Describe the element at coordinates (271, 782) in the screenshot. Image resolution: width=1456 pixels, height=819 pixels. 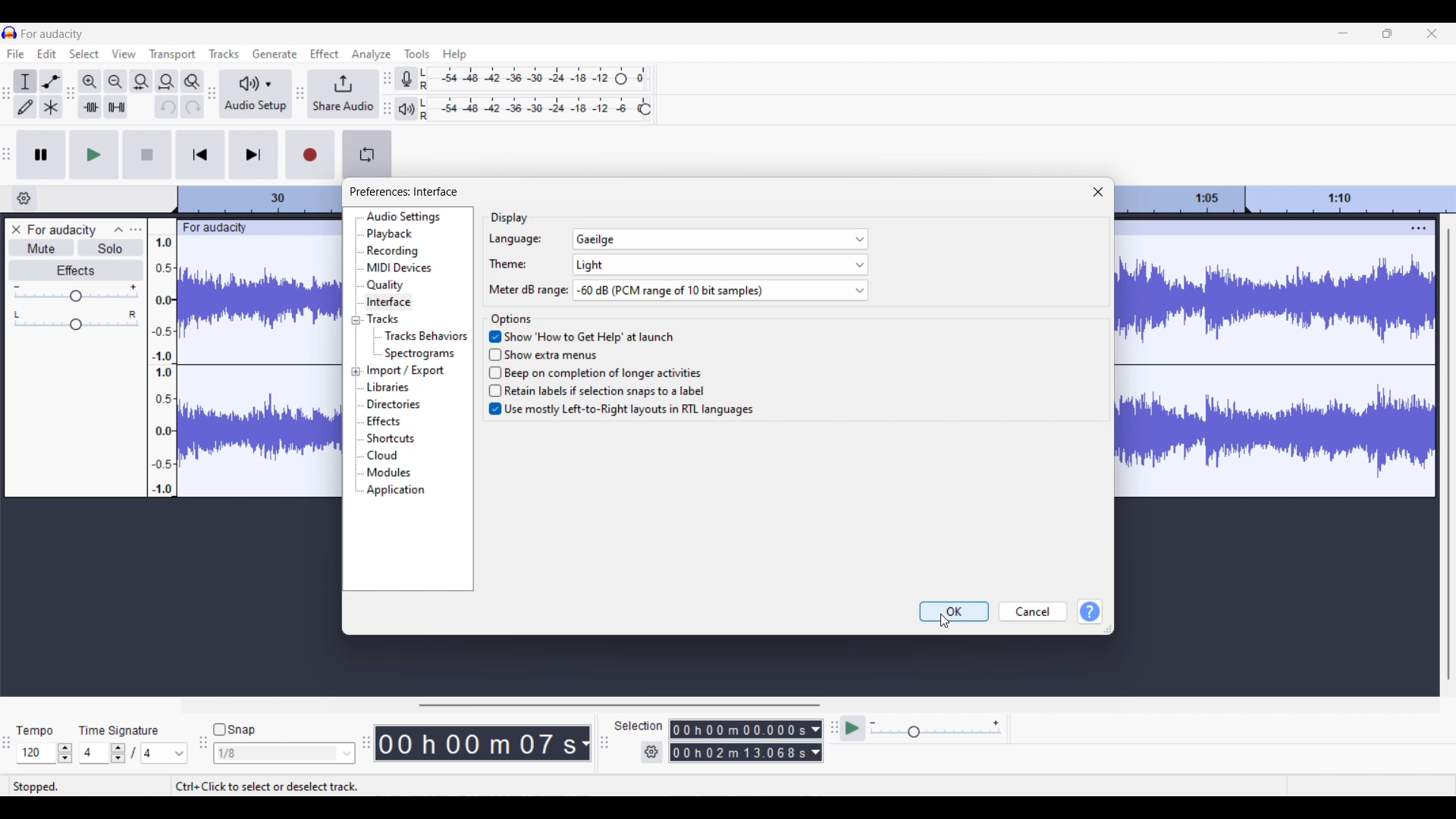
I see `ctrl+click to select or deselect track.` at that location.